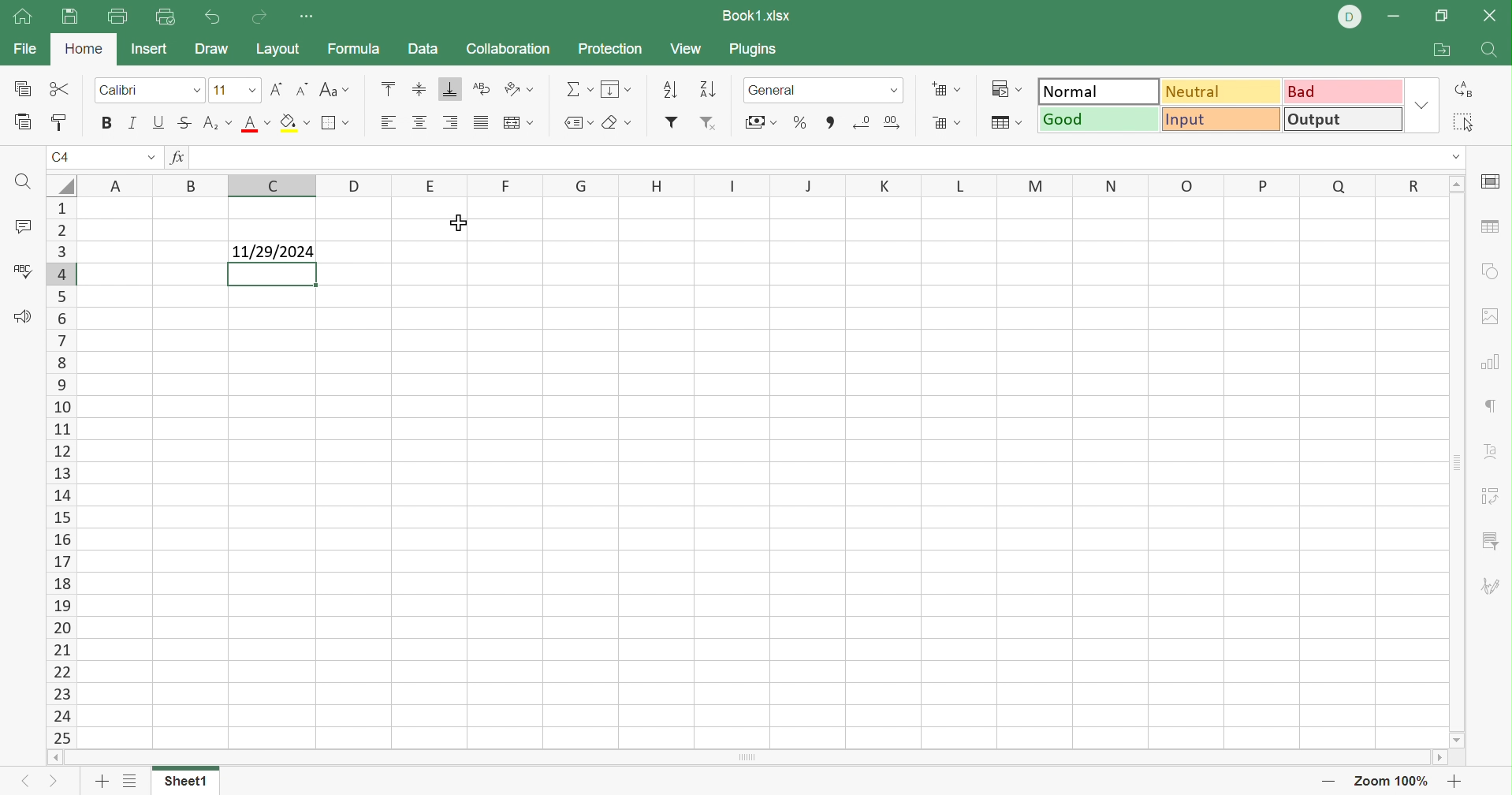  What do you see at coordinates (335, 87) in the screenshot?
I see `Change case` at bounding box center [335, 87].